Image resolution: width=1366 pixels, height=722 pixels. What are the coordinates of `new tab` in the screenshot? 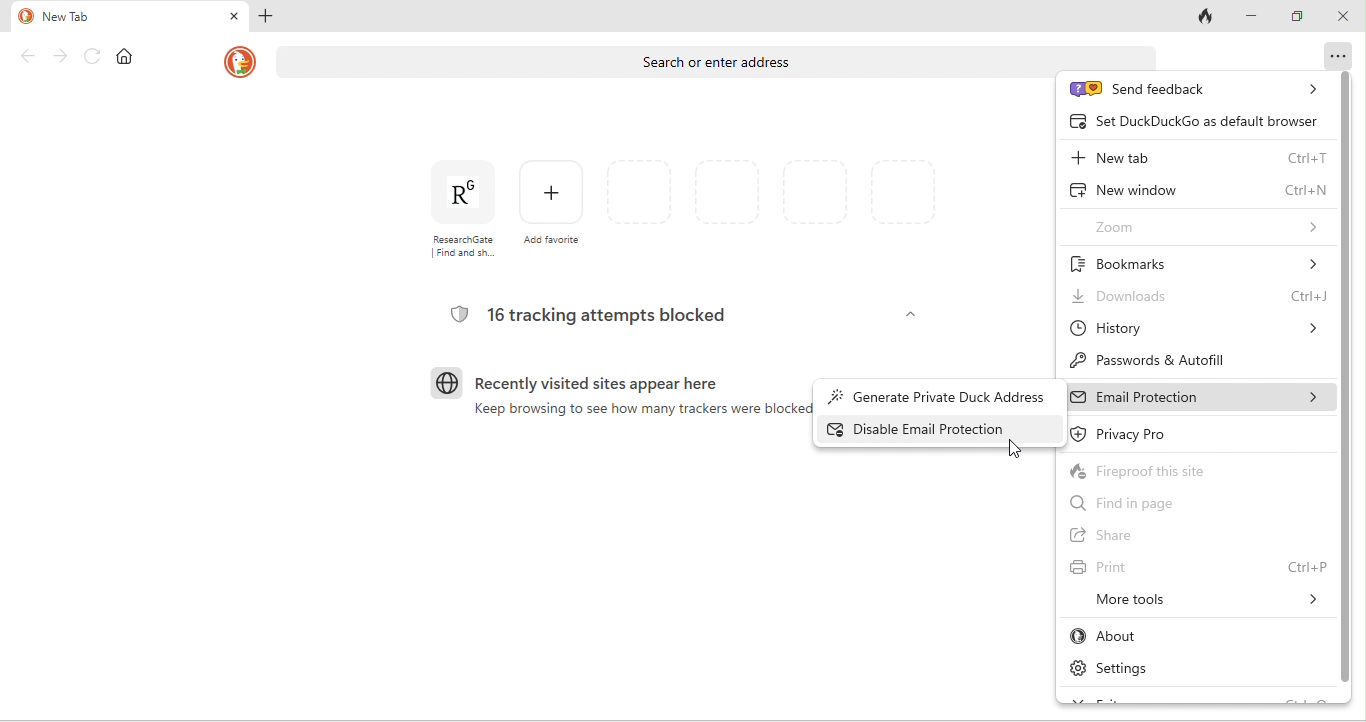 It's located at (1199, 157).